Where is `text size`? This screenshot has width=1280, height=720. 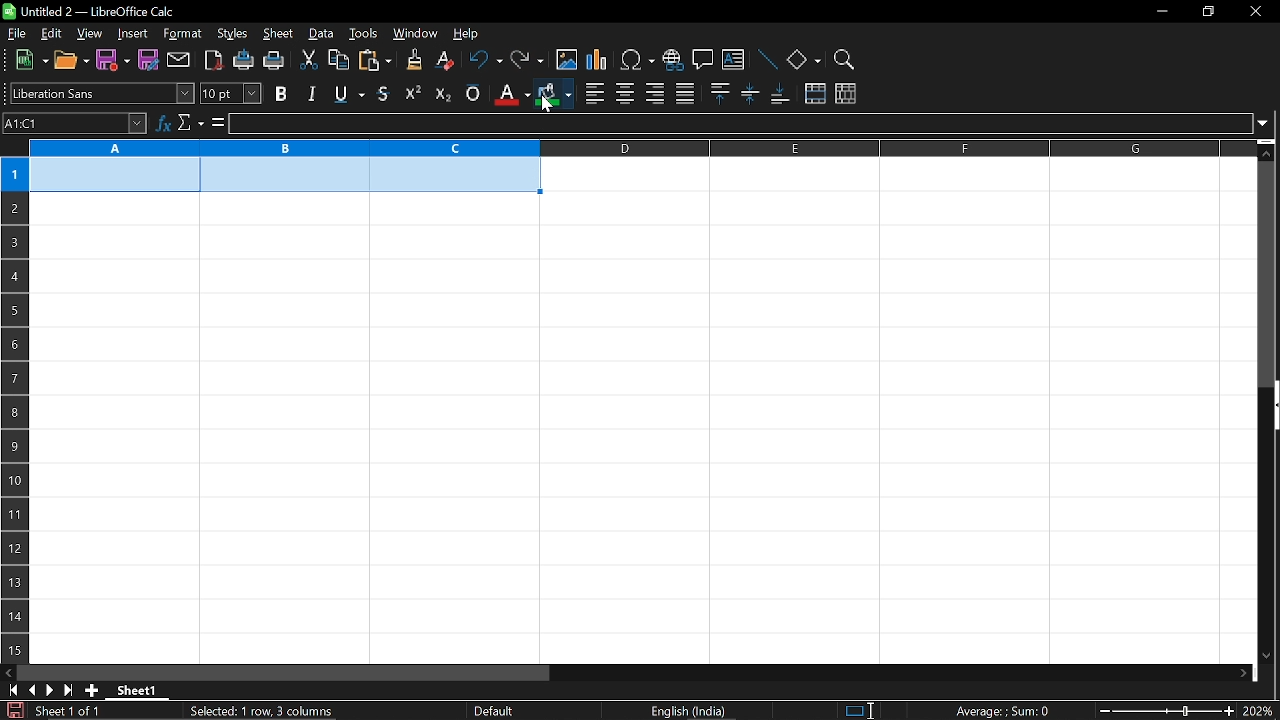 text size is located at coordinates (231, 93).